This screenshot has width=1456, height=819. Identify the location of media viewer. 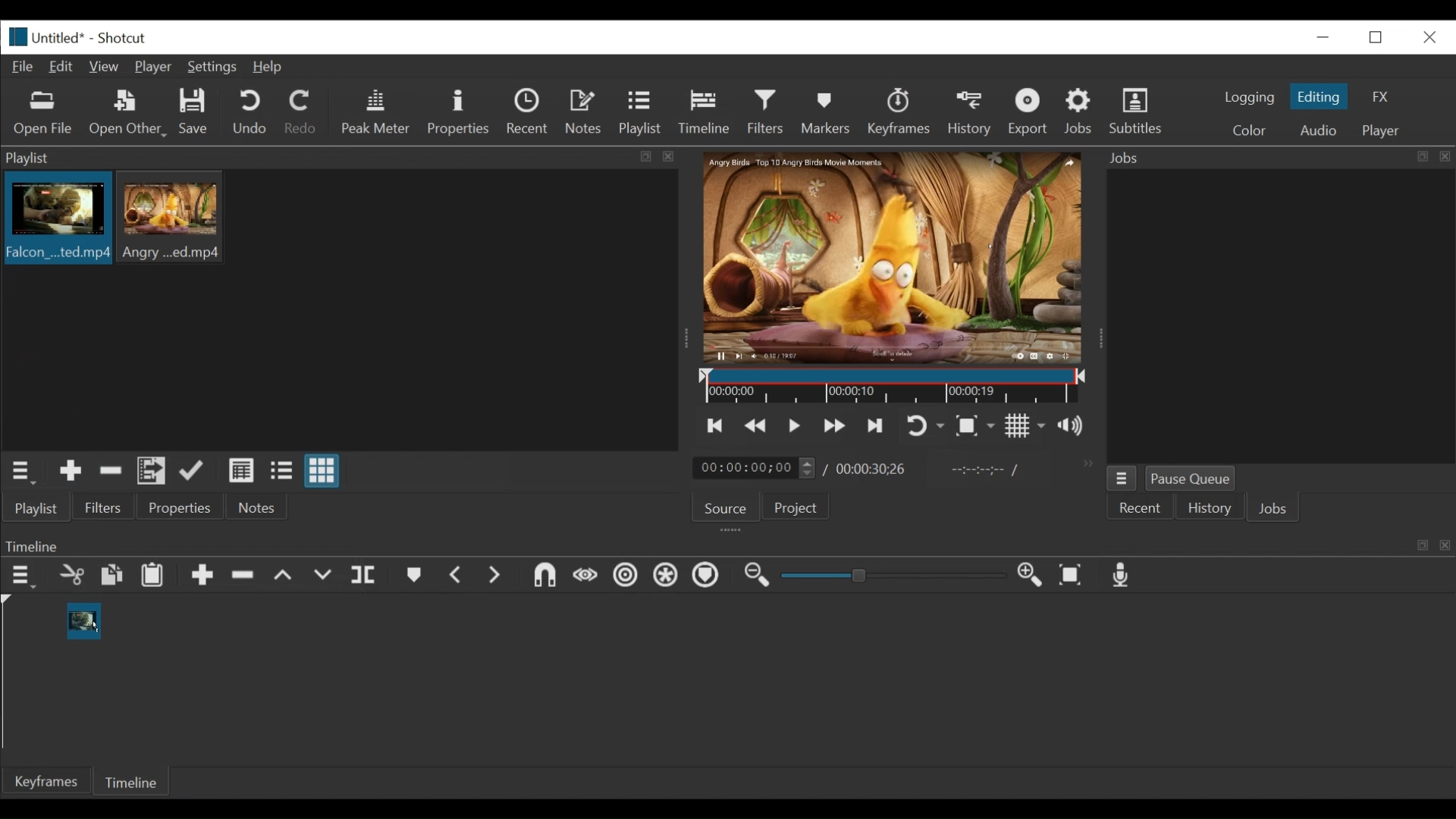
(890, 257).